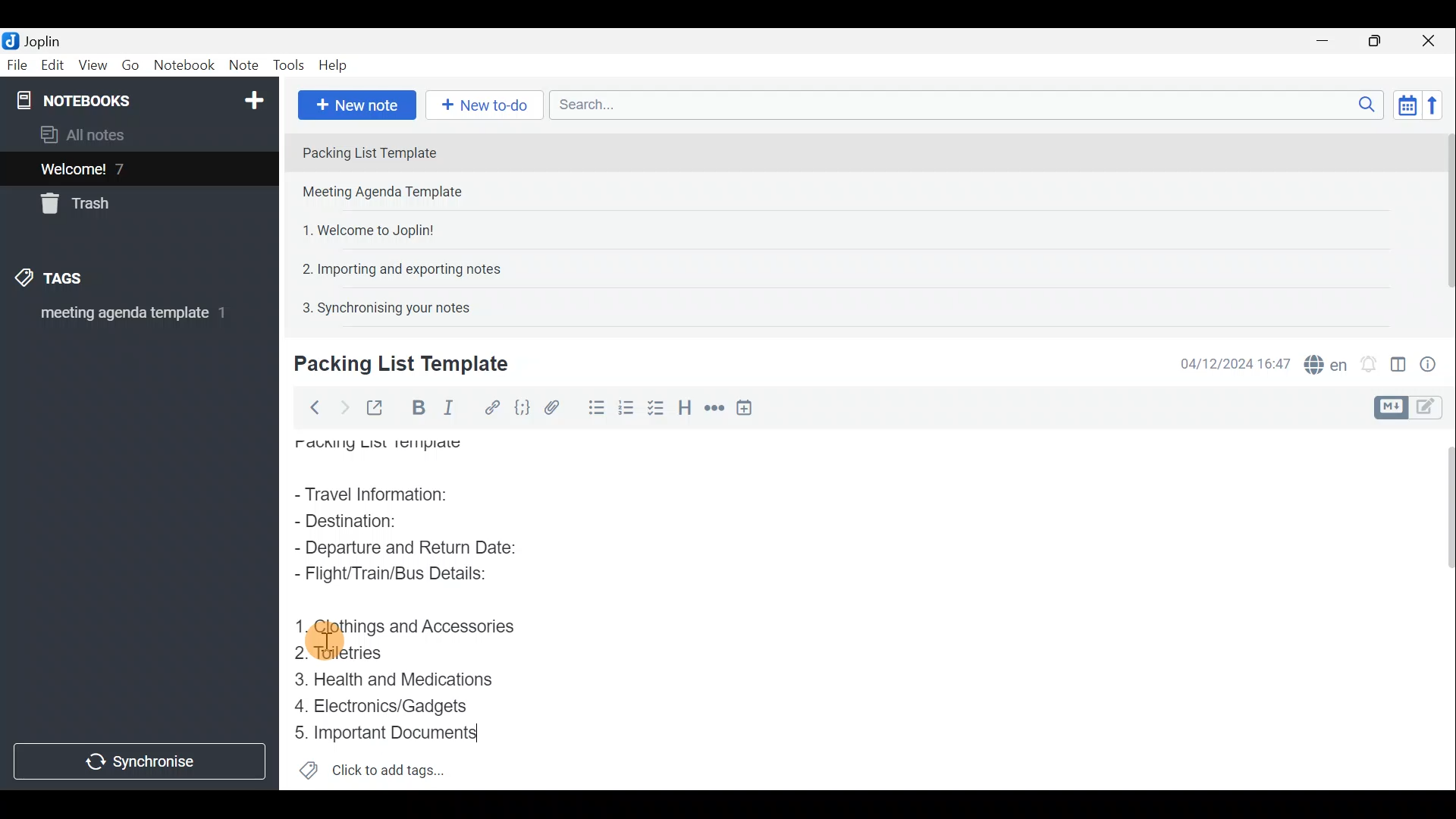  What do you see at coordinates (485, 105) in the screenshot?
I see `New to-do` at bounding box center [485, 105].